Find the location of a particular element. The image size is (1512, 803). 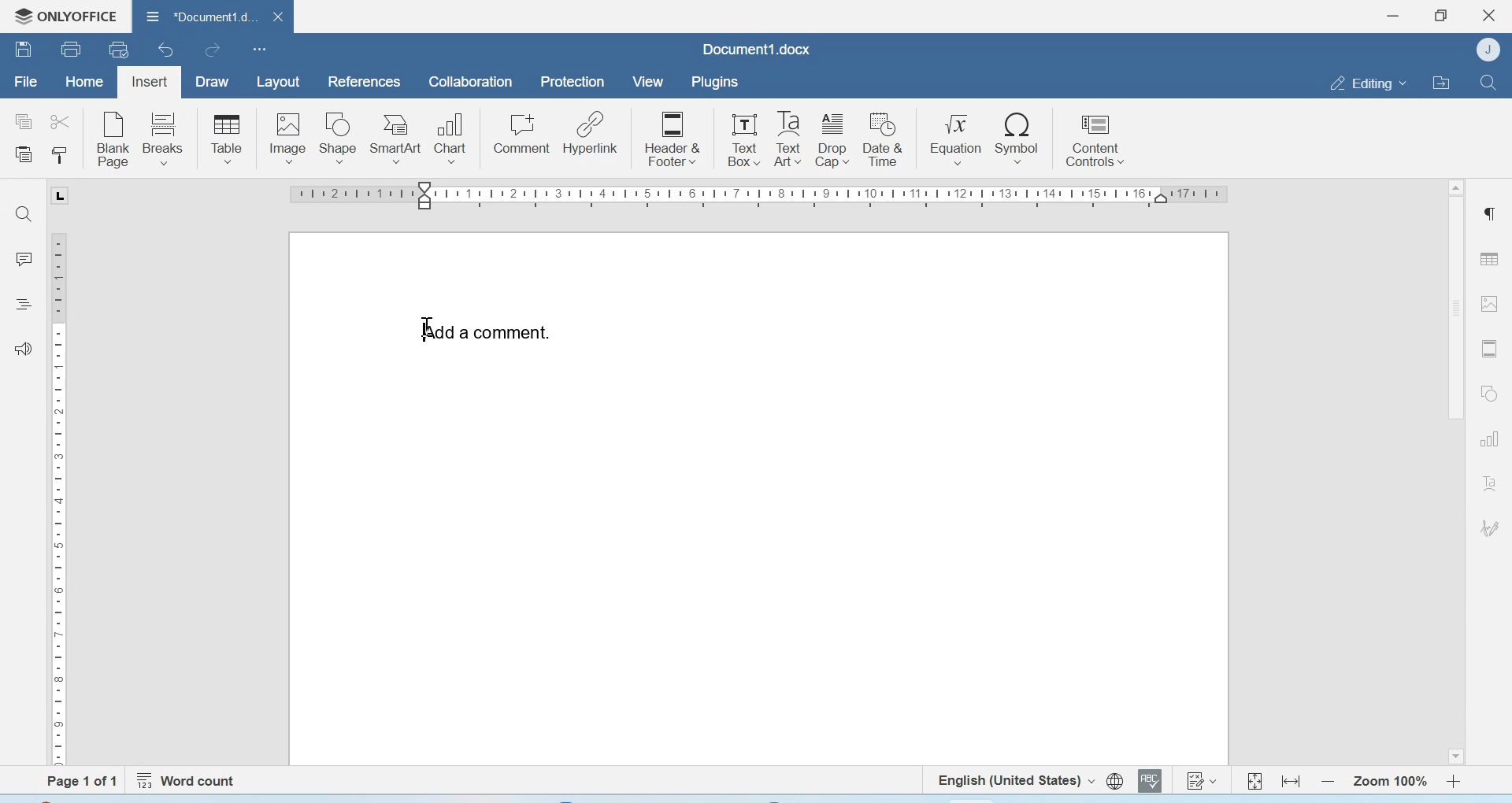

Home is located at coordinates (83, 80).